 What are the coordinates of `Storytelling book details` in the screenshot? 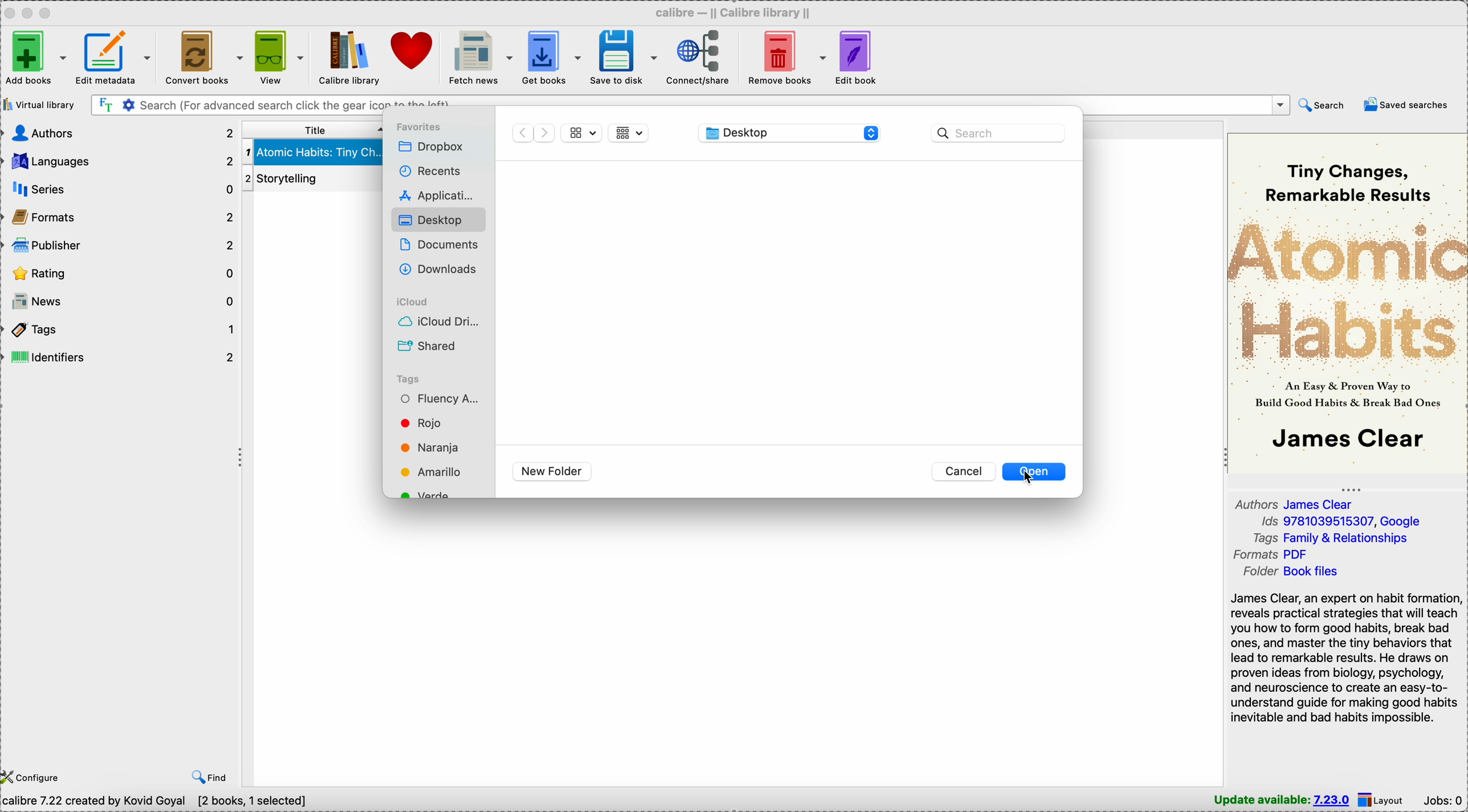 It's located at (312, 179).